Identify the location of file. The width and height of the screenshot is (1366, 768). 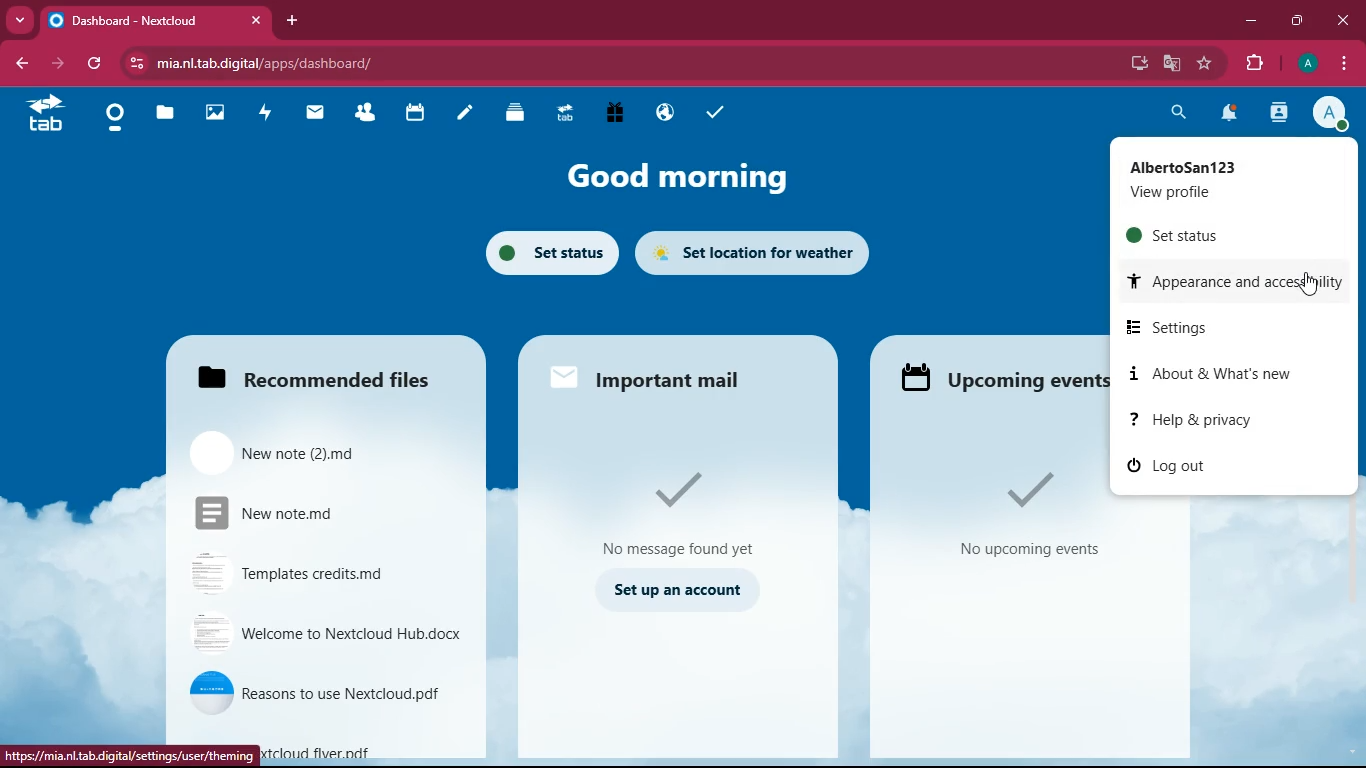
(307, 451).